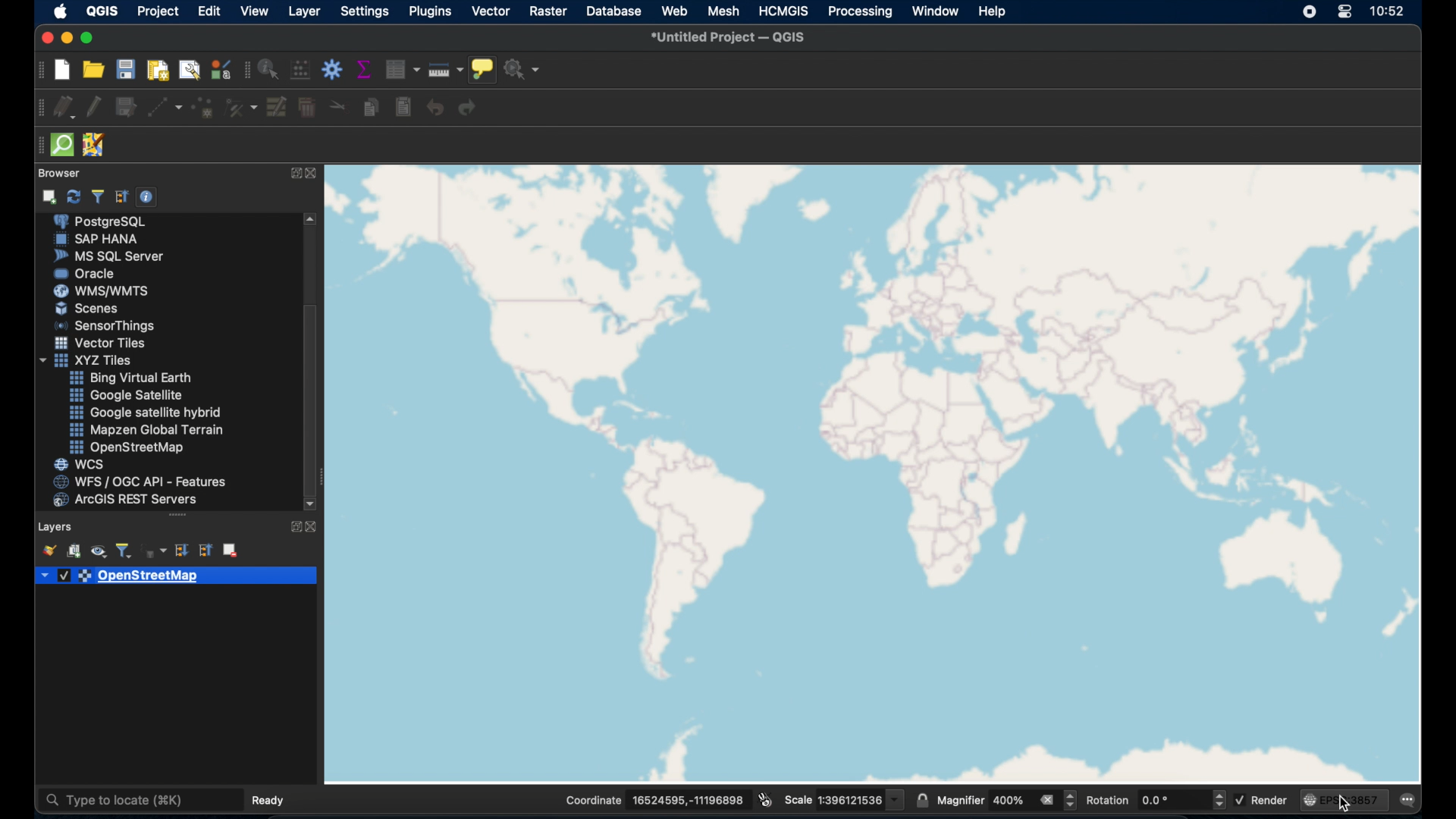  Describe the element at coordinates (115, 221) in the screenshot. I see `postgre sql` at that location.